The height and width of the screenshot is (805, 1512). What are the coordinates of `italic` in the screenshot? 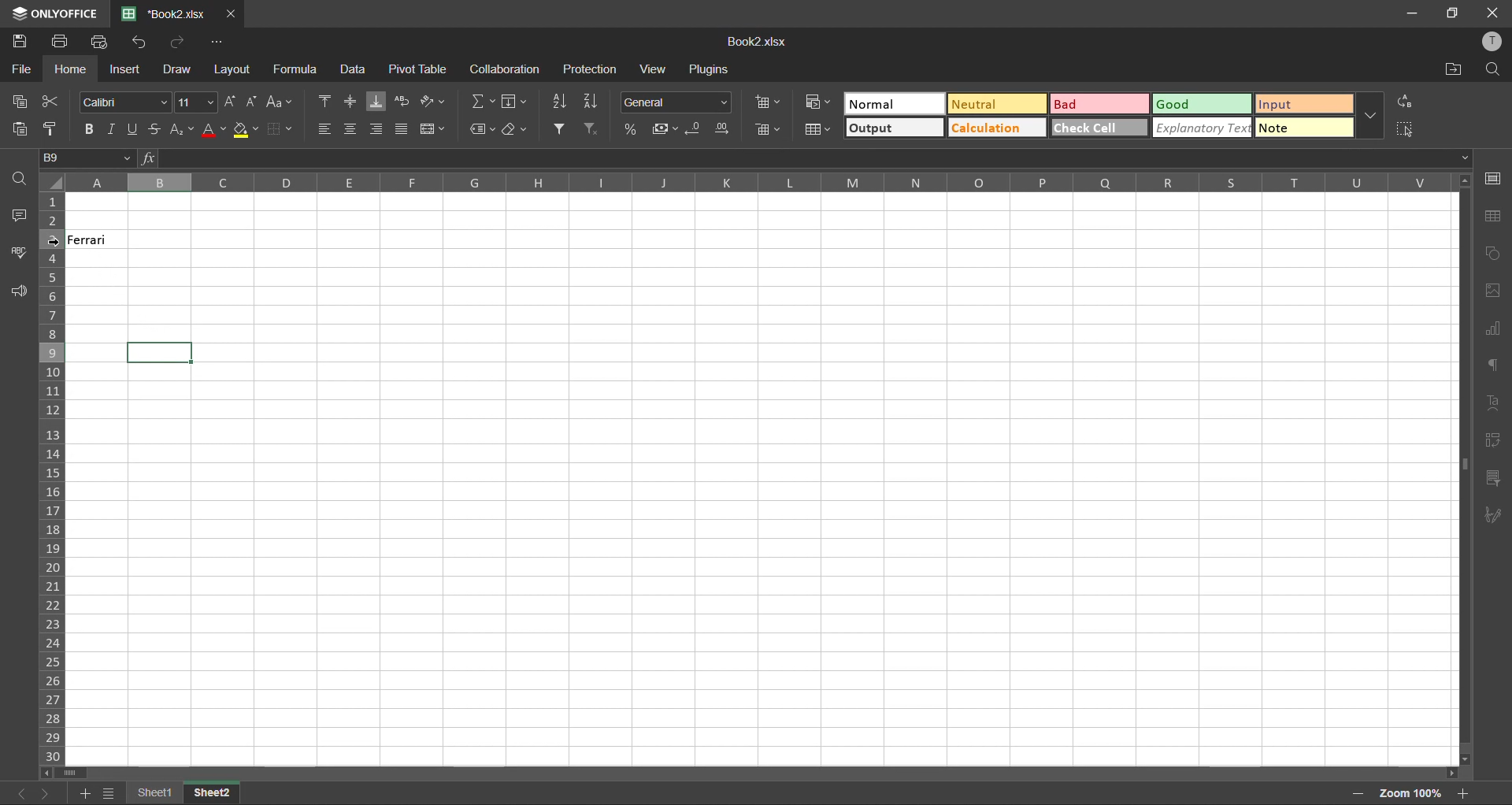 It's located at (113, 131).